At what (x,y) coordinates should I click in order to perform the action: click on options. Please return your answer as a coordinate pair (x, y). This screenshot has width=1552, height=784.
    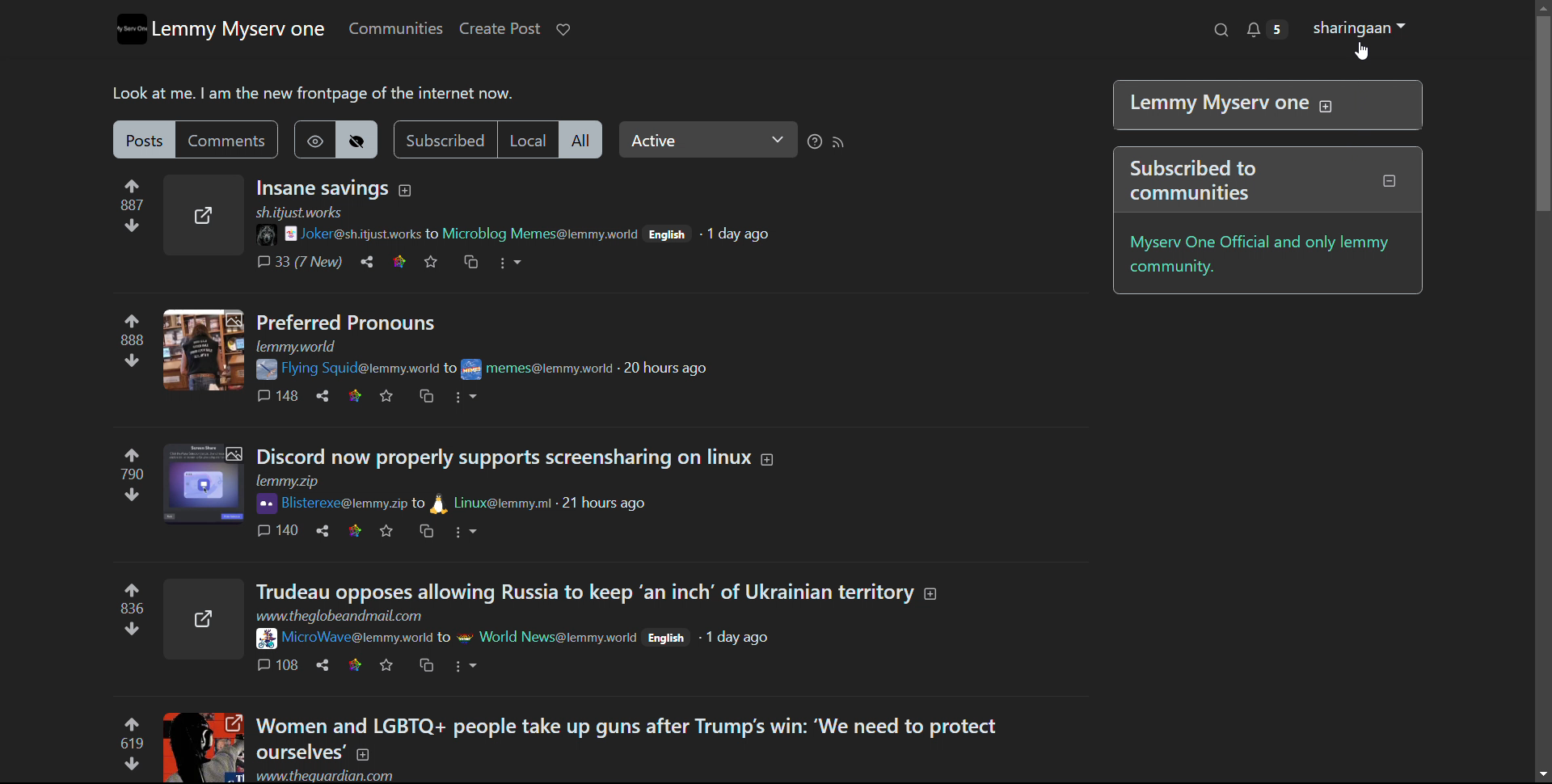
    Looking at the image, I should click on (466, 666).